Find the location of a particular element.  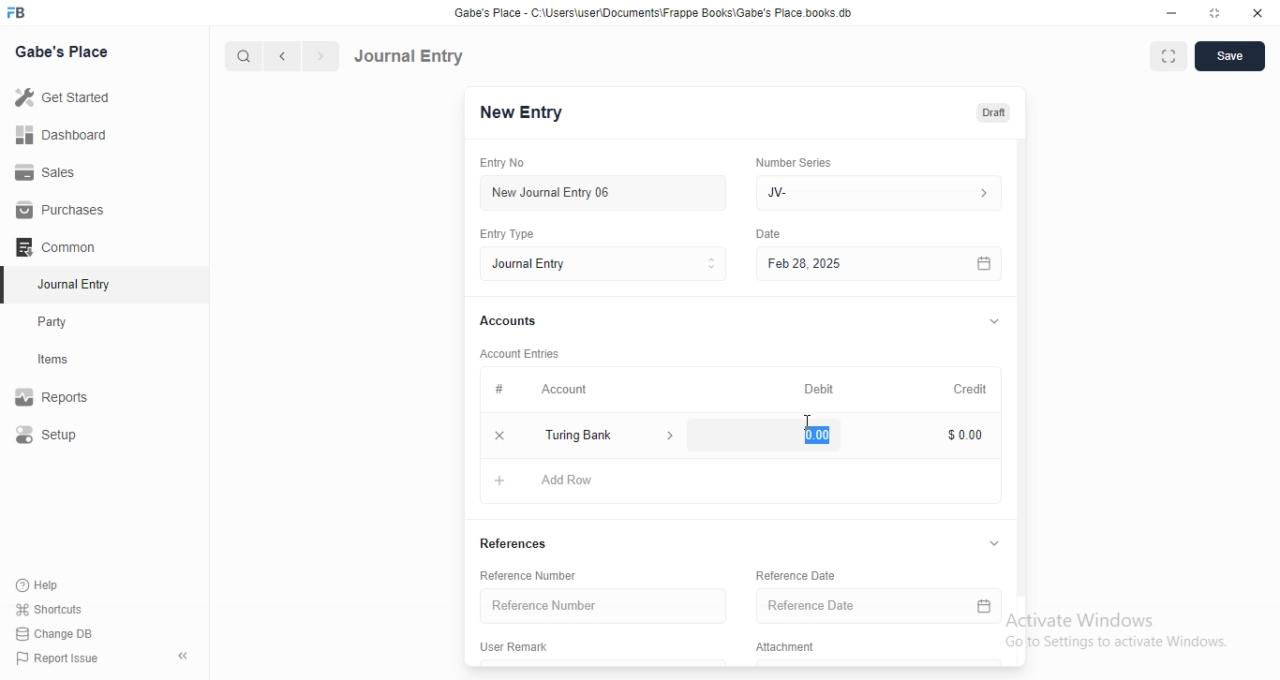

Feb 28, 2025 is located at coordinates (860, 263).